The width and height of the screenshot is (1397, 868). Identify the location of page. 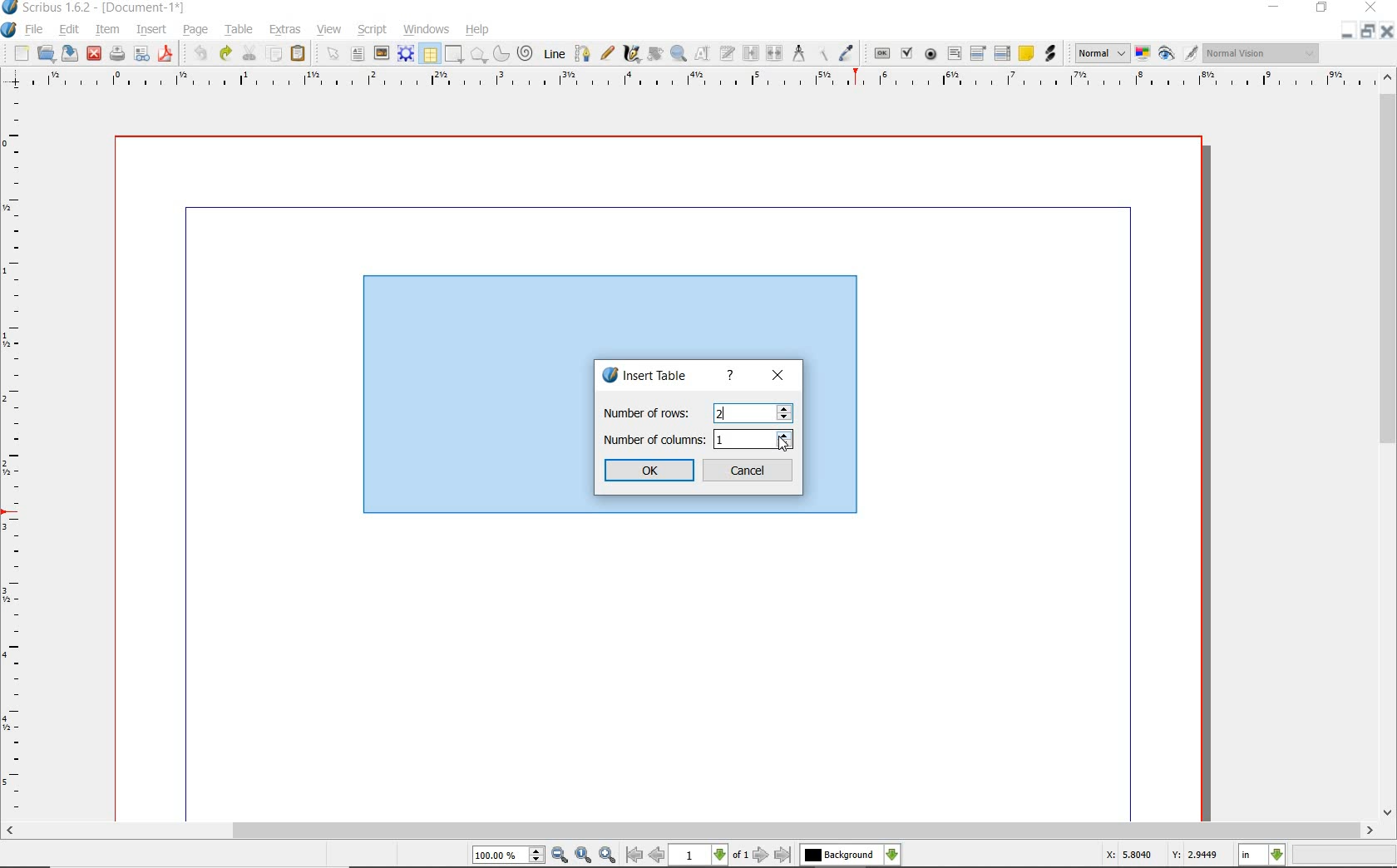
(195, 31).